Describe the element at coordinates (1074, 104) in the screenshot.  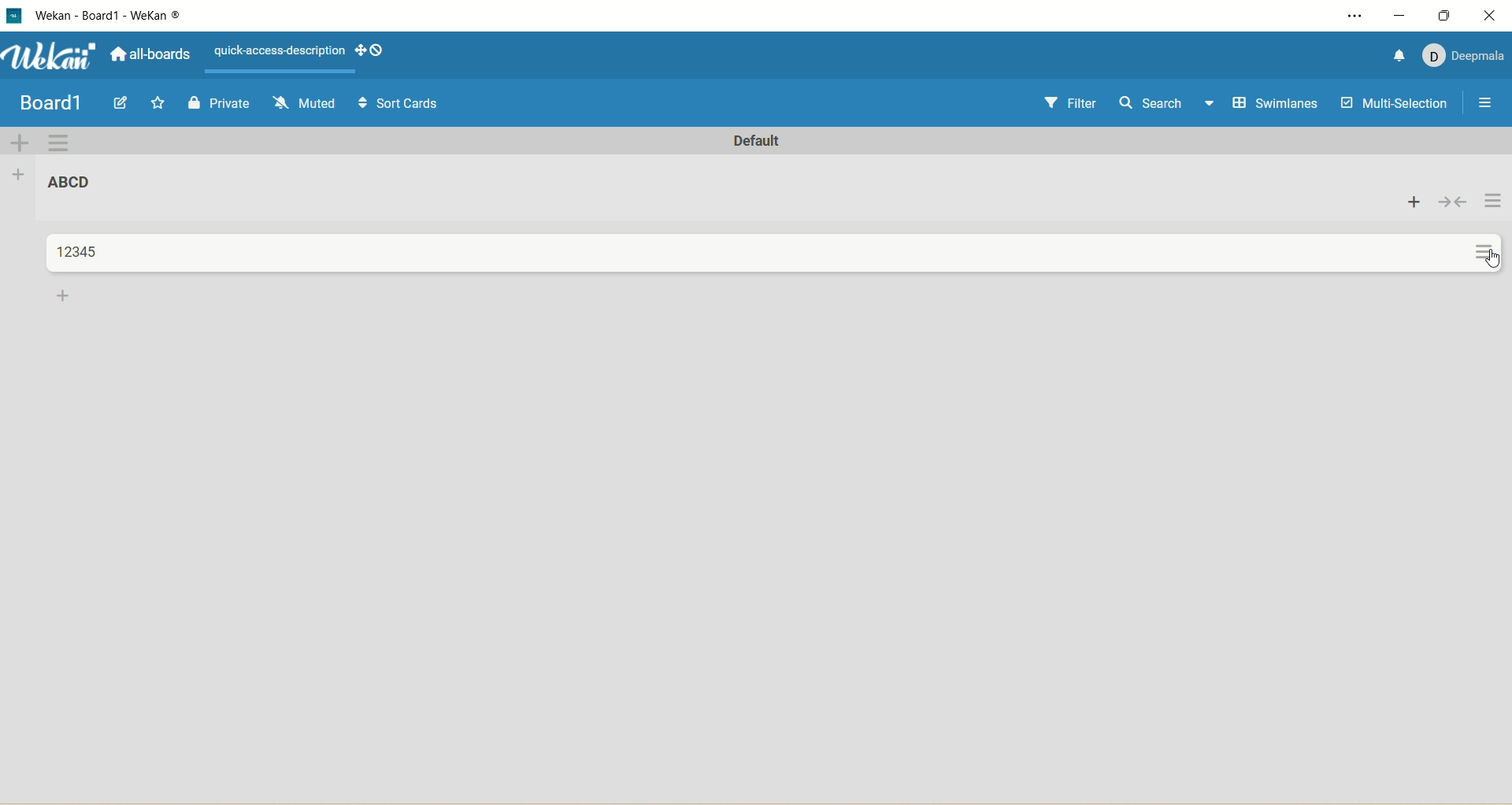
I see `filter` at that location.